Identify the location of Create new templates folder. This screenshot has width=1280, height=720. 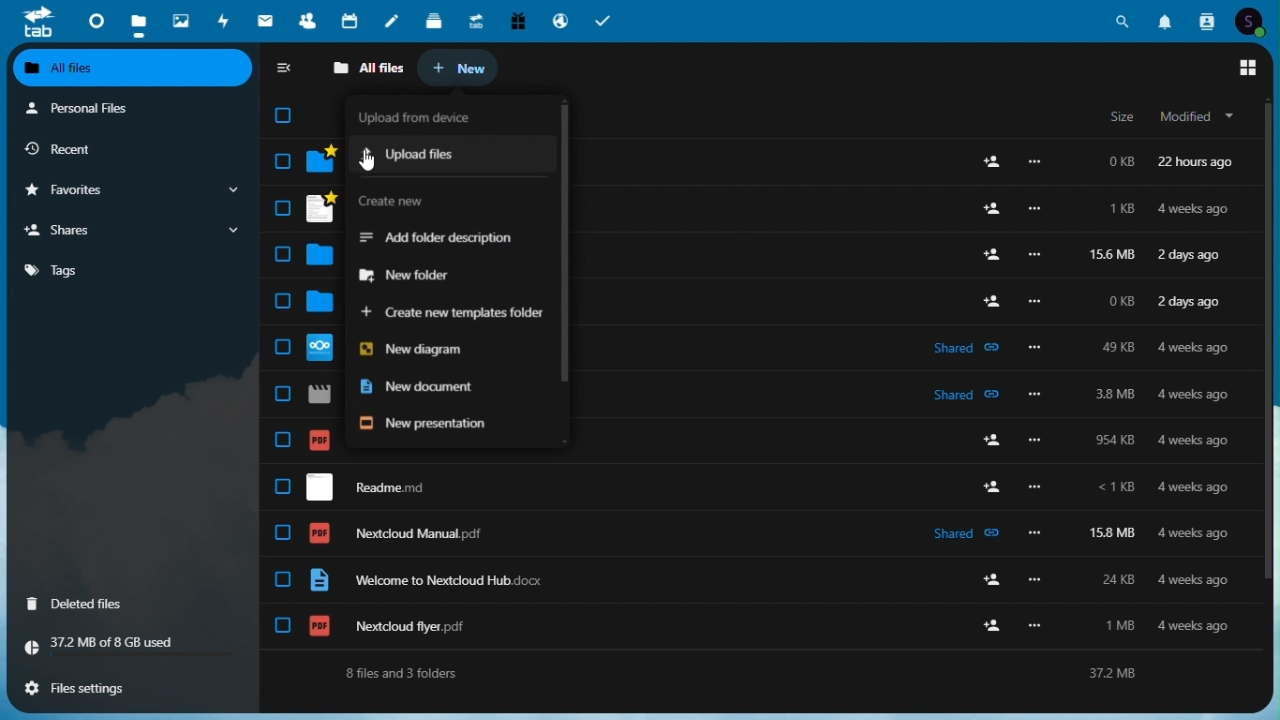
(446, 315).